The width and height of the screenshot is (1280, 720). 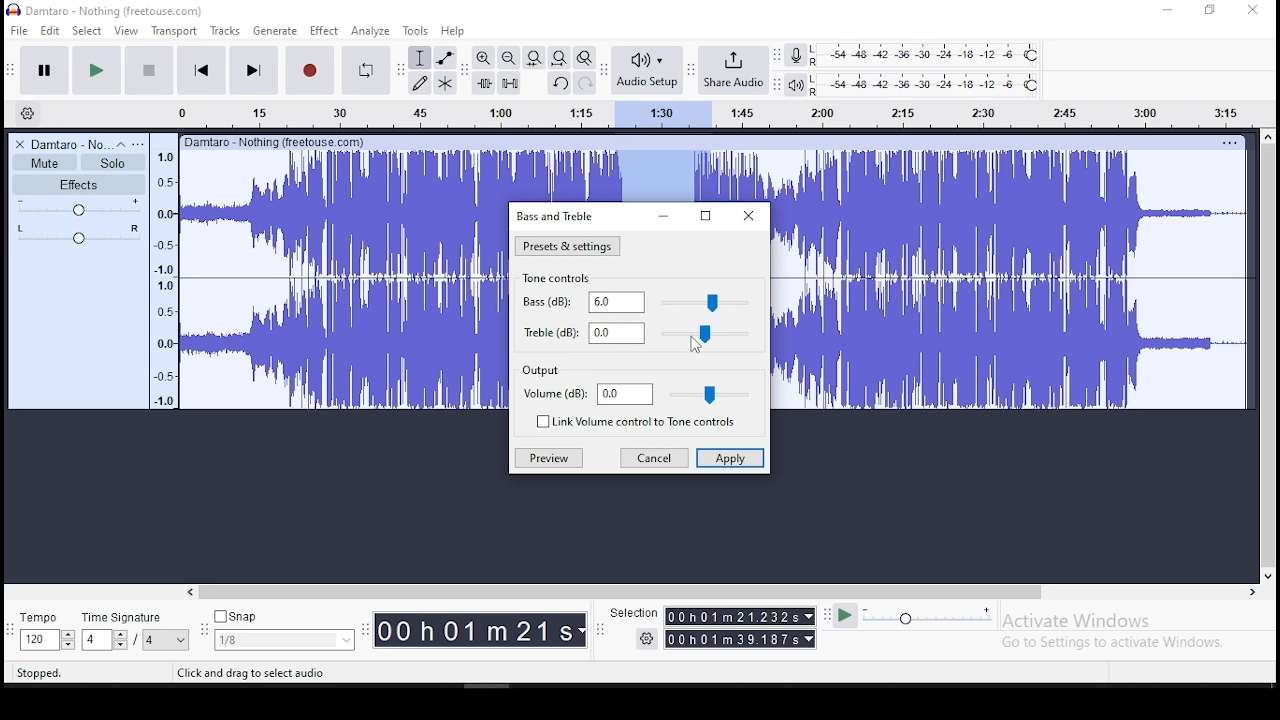 What do you see at coordinates (1267, 136) in the screenshot?
I see `up` at bounding box center [1267, 136].